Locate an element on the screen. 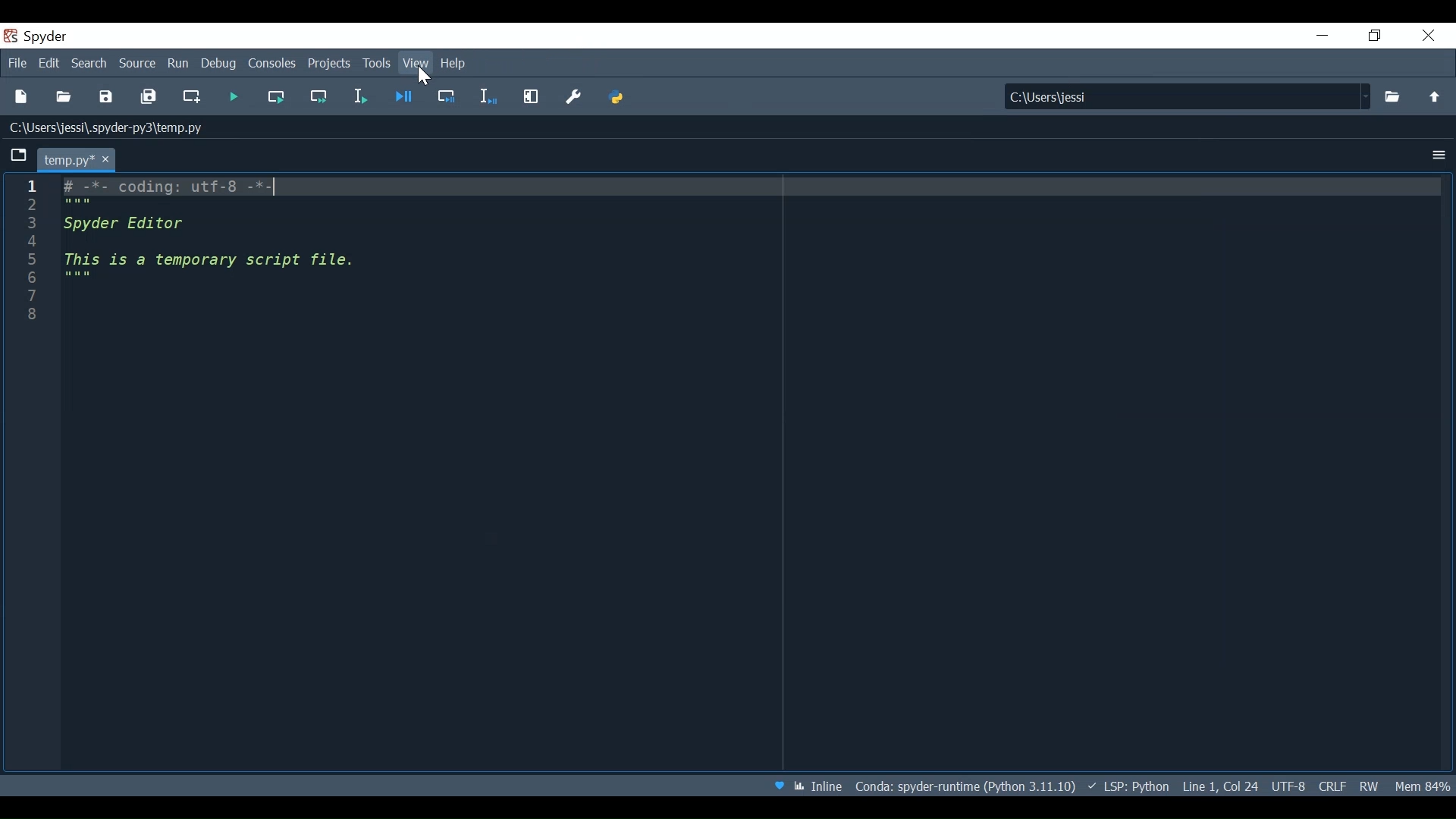  spyder is located at coordinates (42, 37).